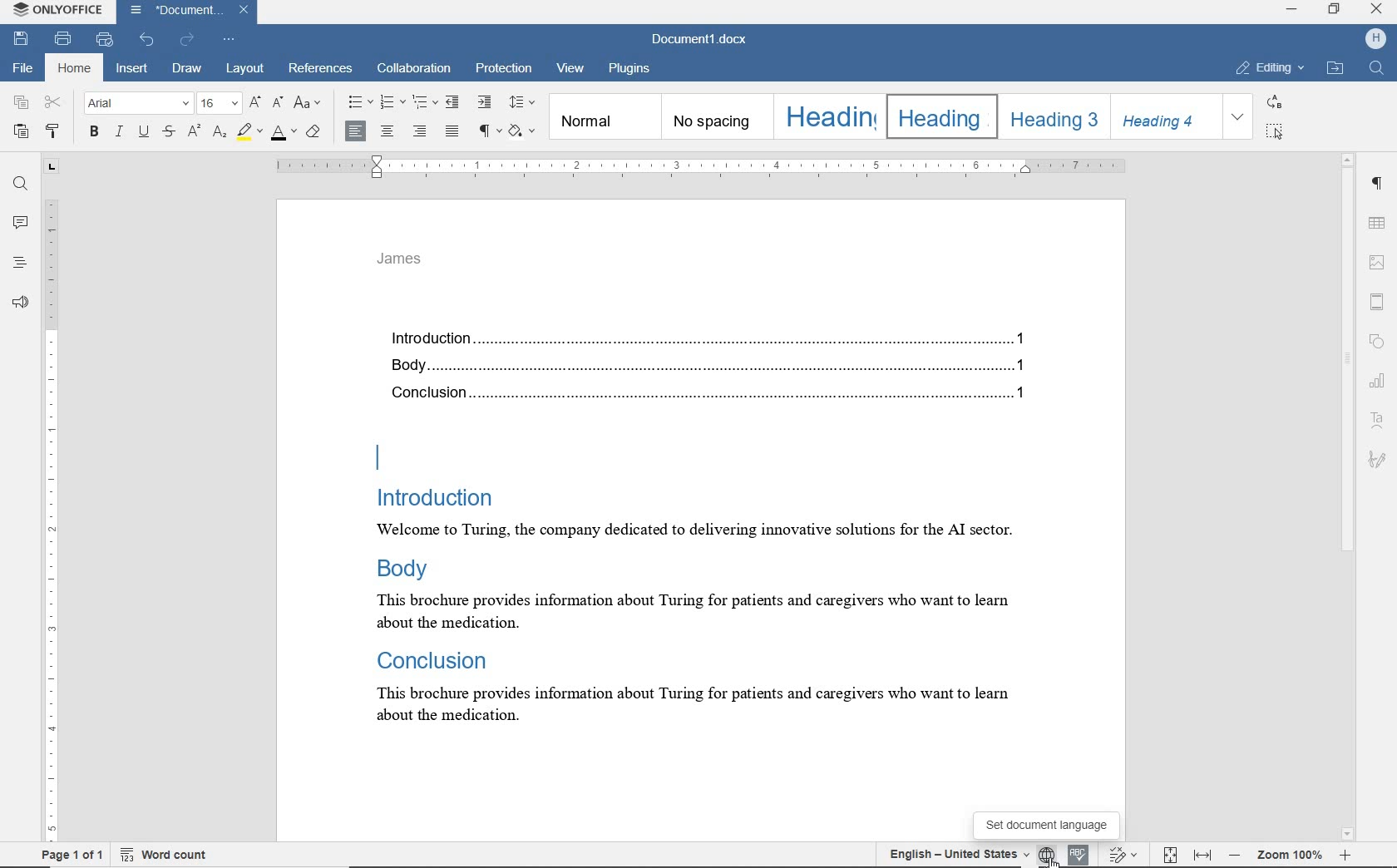 The width and height of the screenshot is (1397, 868). I want to click on Introduction, so click(435, 489).